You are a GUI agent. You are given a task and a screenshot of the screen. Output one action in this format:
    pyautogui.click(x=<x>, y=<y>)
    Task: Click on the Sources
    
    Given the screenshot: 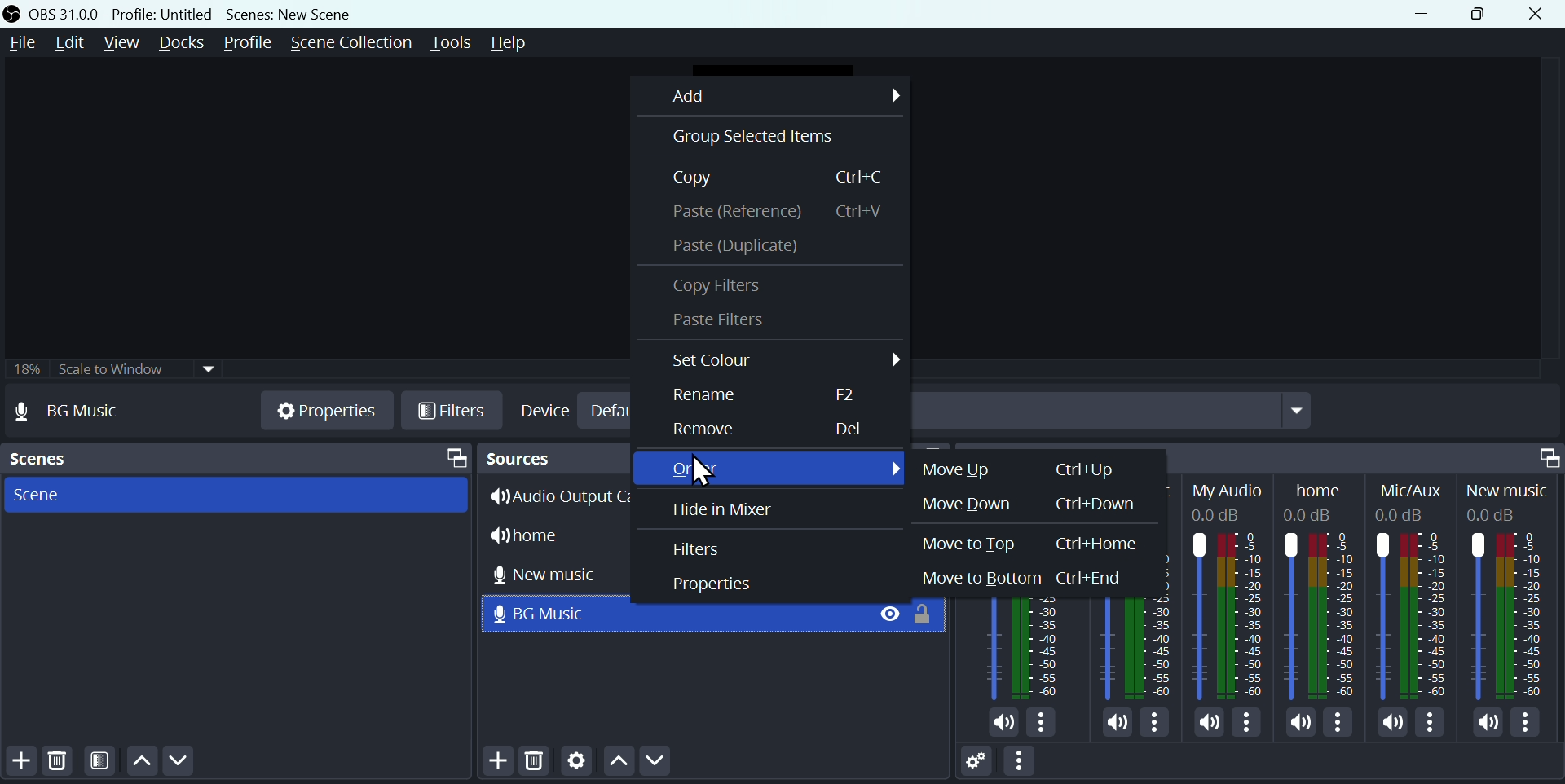 What is the action you would take?
    pyautogui.click(x=551, y=457)
    